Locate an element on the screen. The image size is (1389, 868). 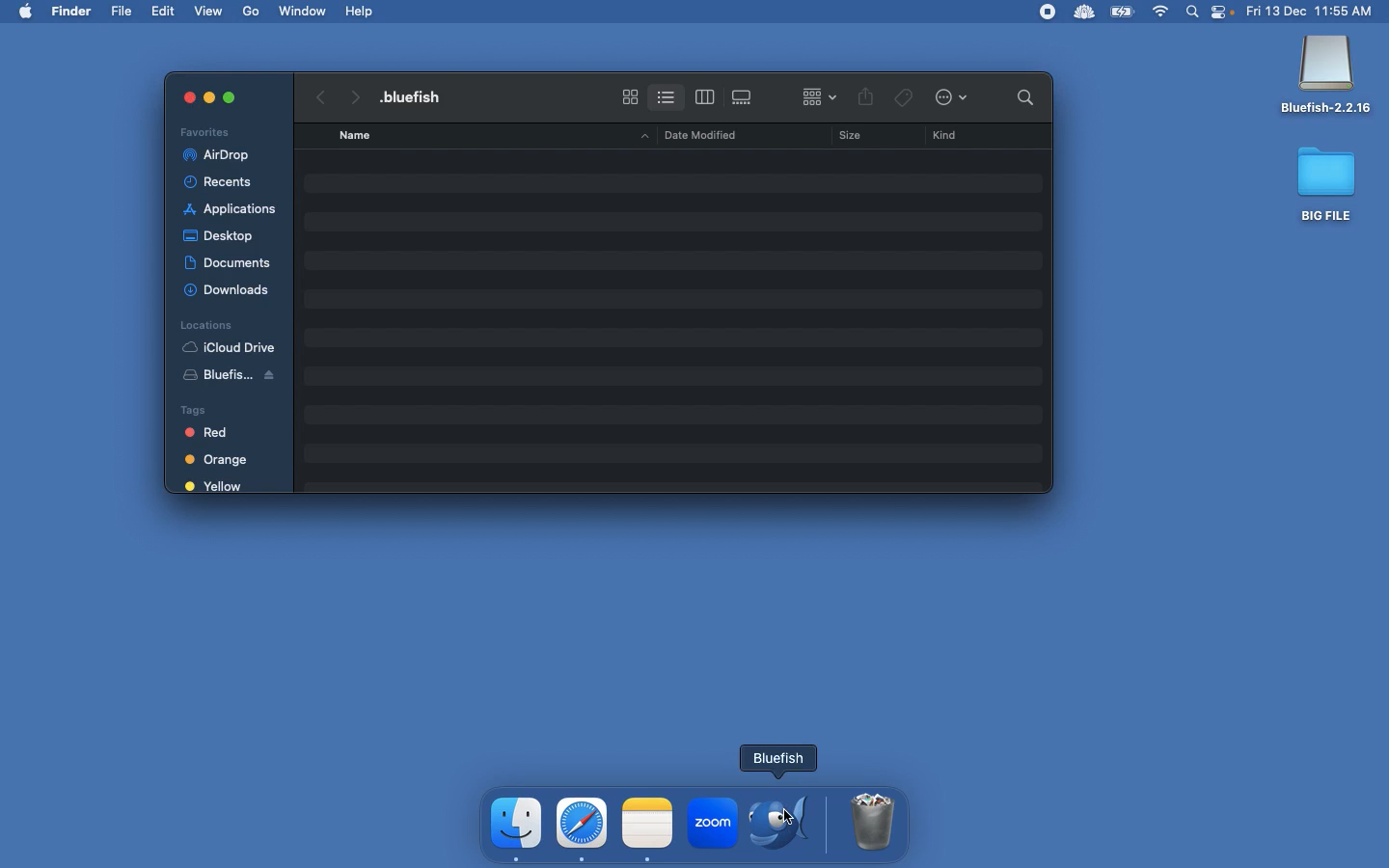
documents is located at coordinates (228, 259).